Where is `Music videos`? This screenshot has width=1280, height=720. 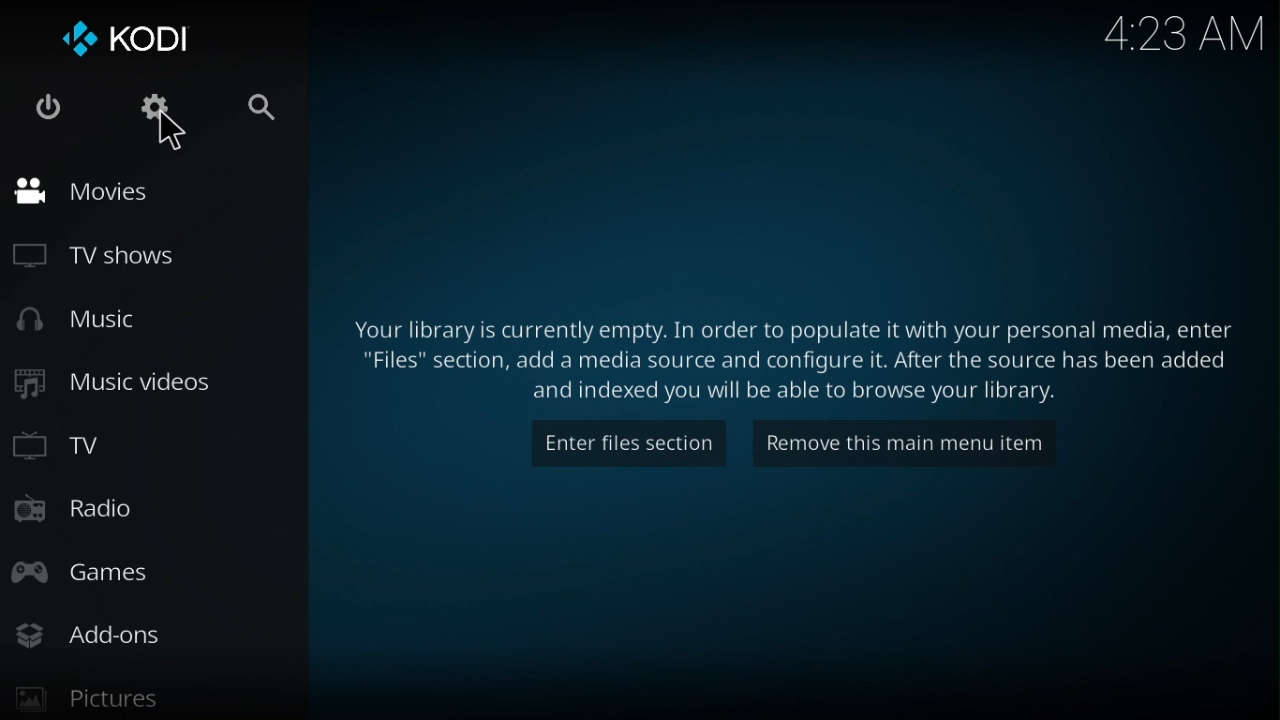 Music videos is located at coordinates (126, 383).